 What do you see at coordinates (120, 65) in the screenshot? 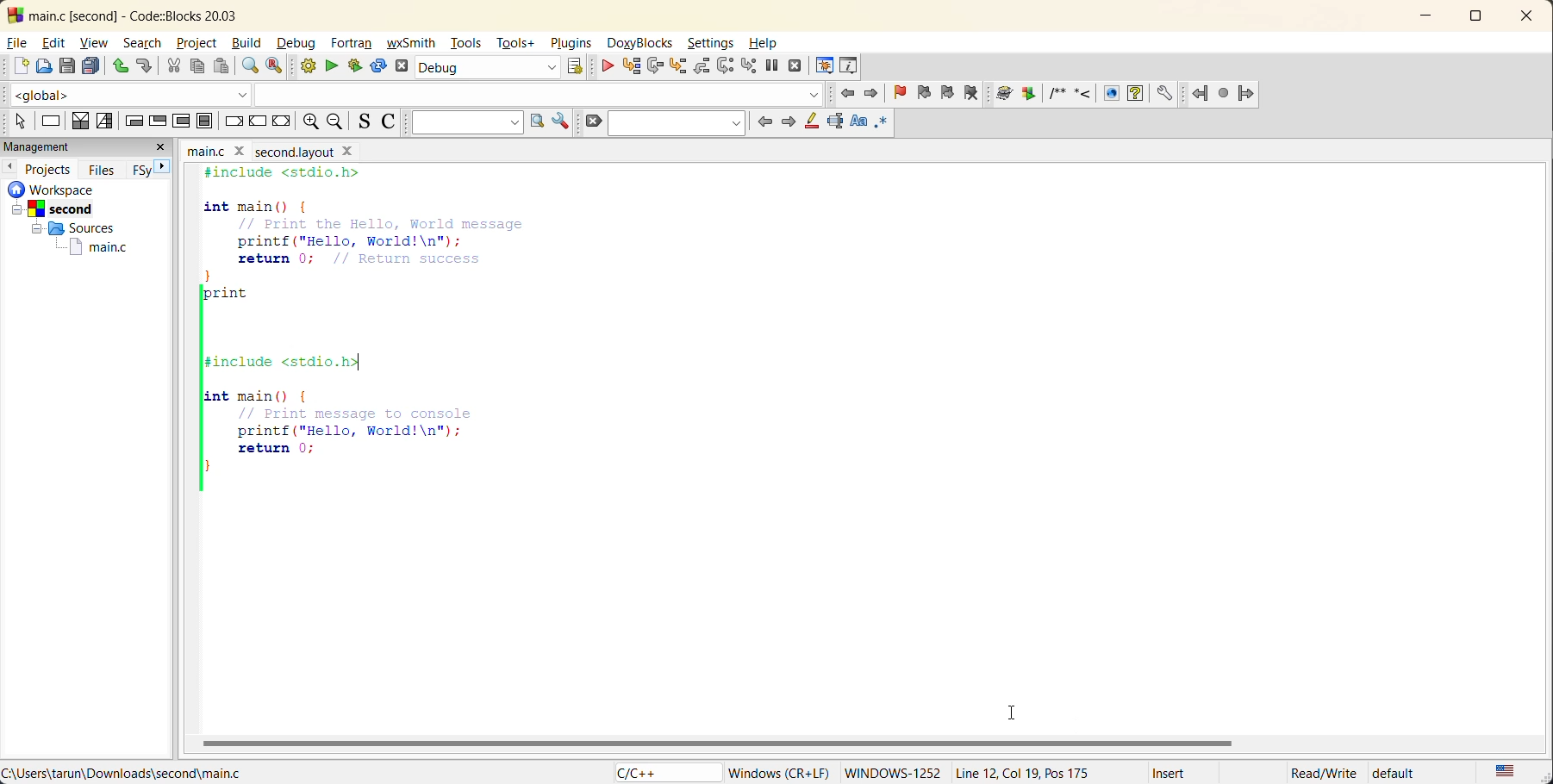
I see `undo` at bounding box center [120, 65].